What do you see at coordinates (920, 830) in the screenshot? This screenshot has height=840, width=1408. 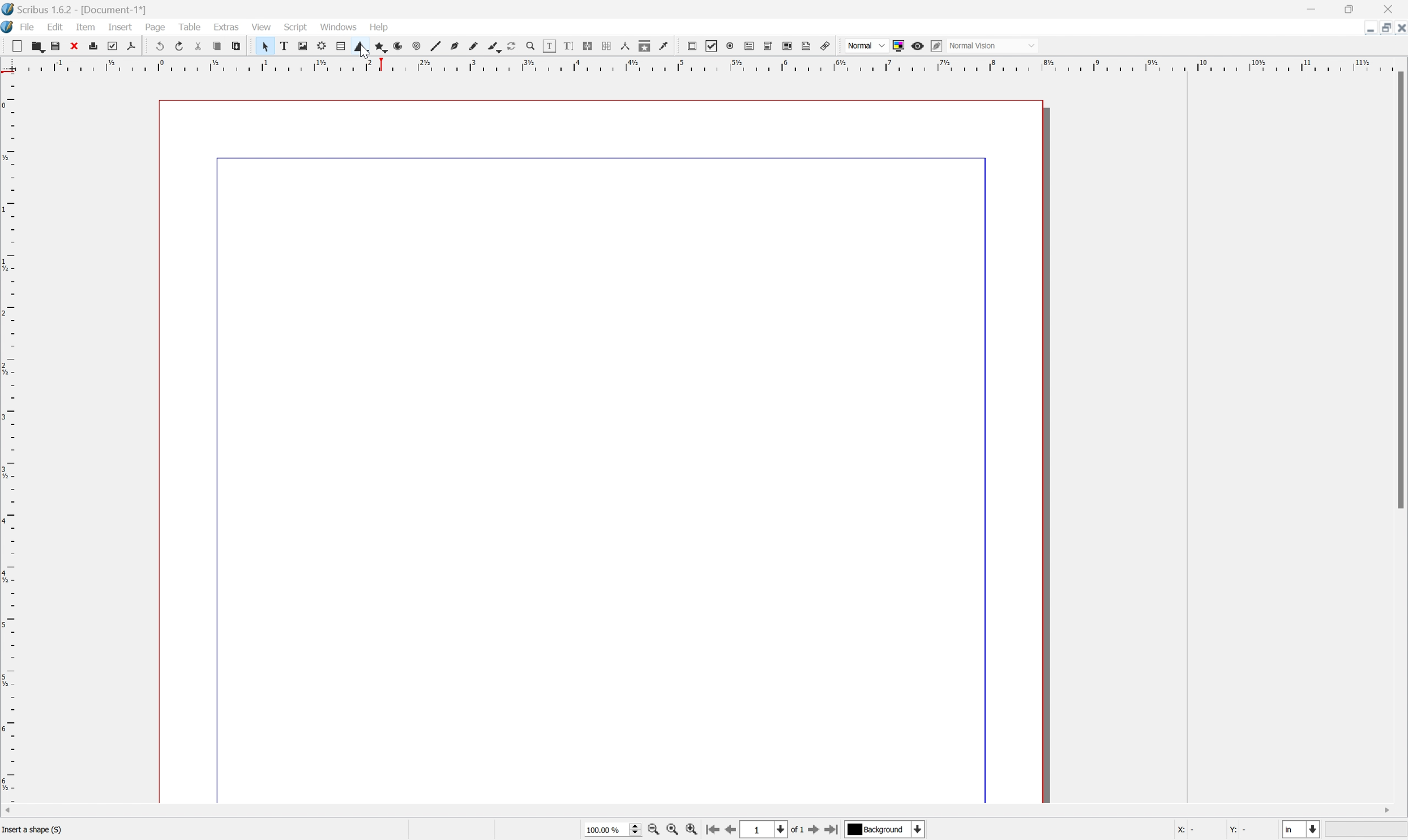 I see `Select current layer` at bounding box center [920, 830].